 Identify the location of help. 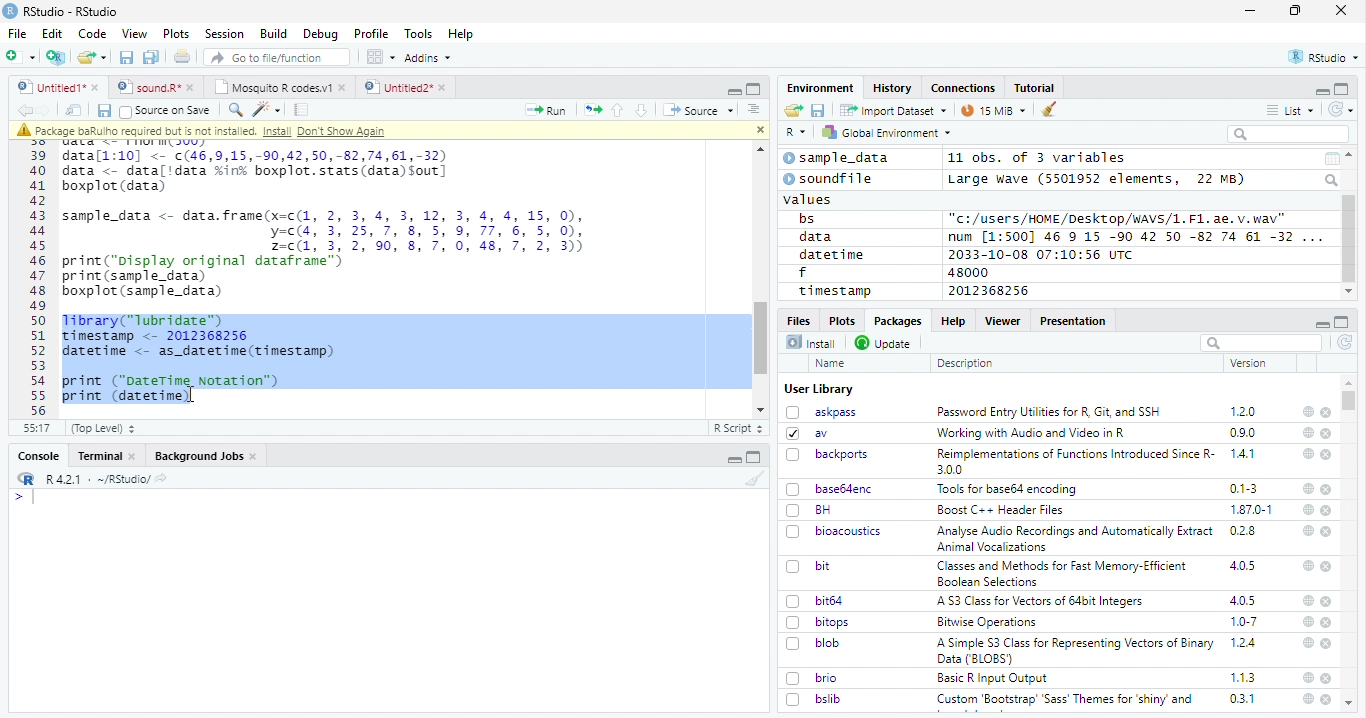
(1307, 699).